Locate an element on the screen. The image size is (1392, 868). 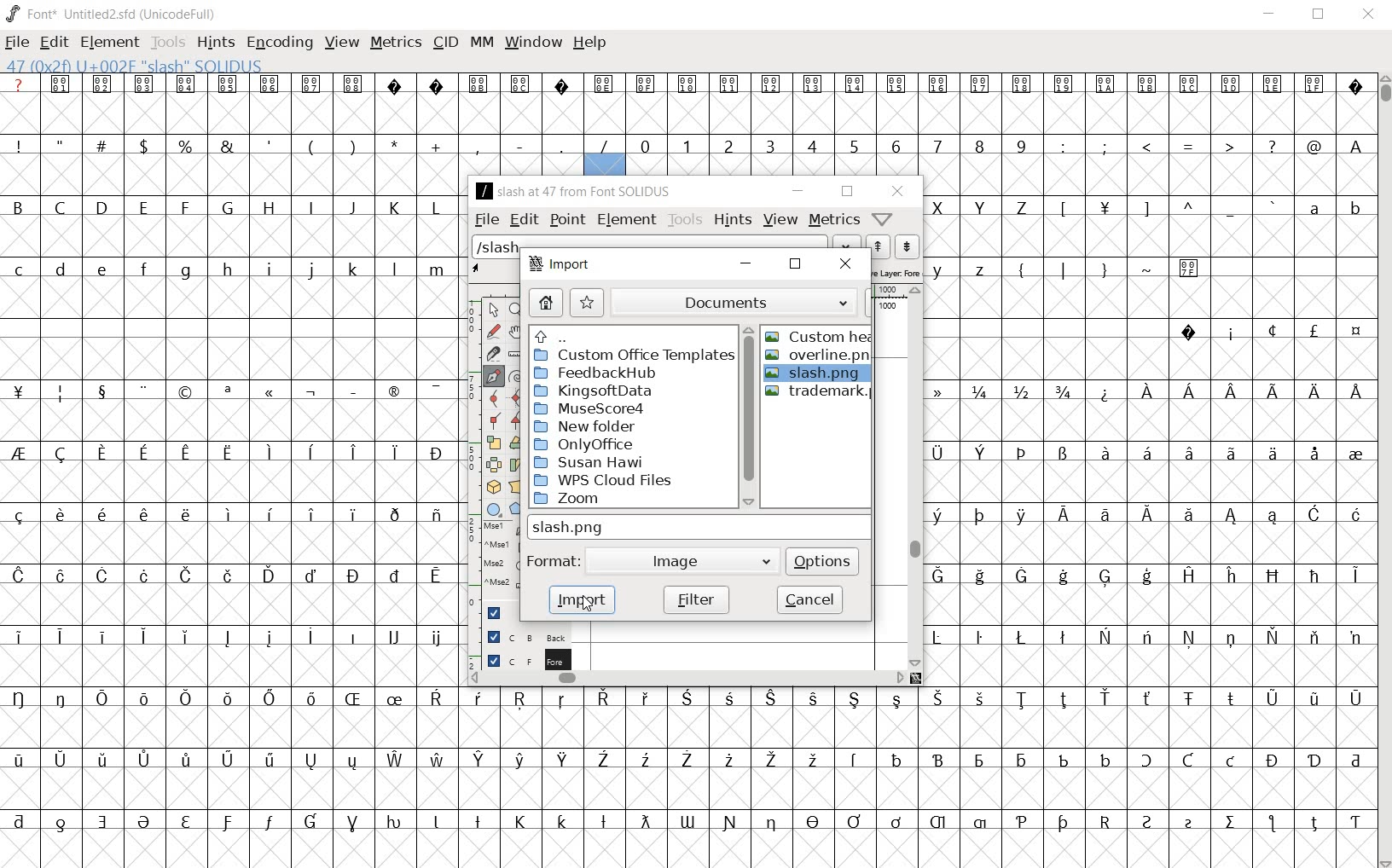
documents is located at coordinates (744, 303).